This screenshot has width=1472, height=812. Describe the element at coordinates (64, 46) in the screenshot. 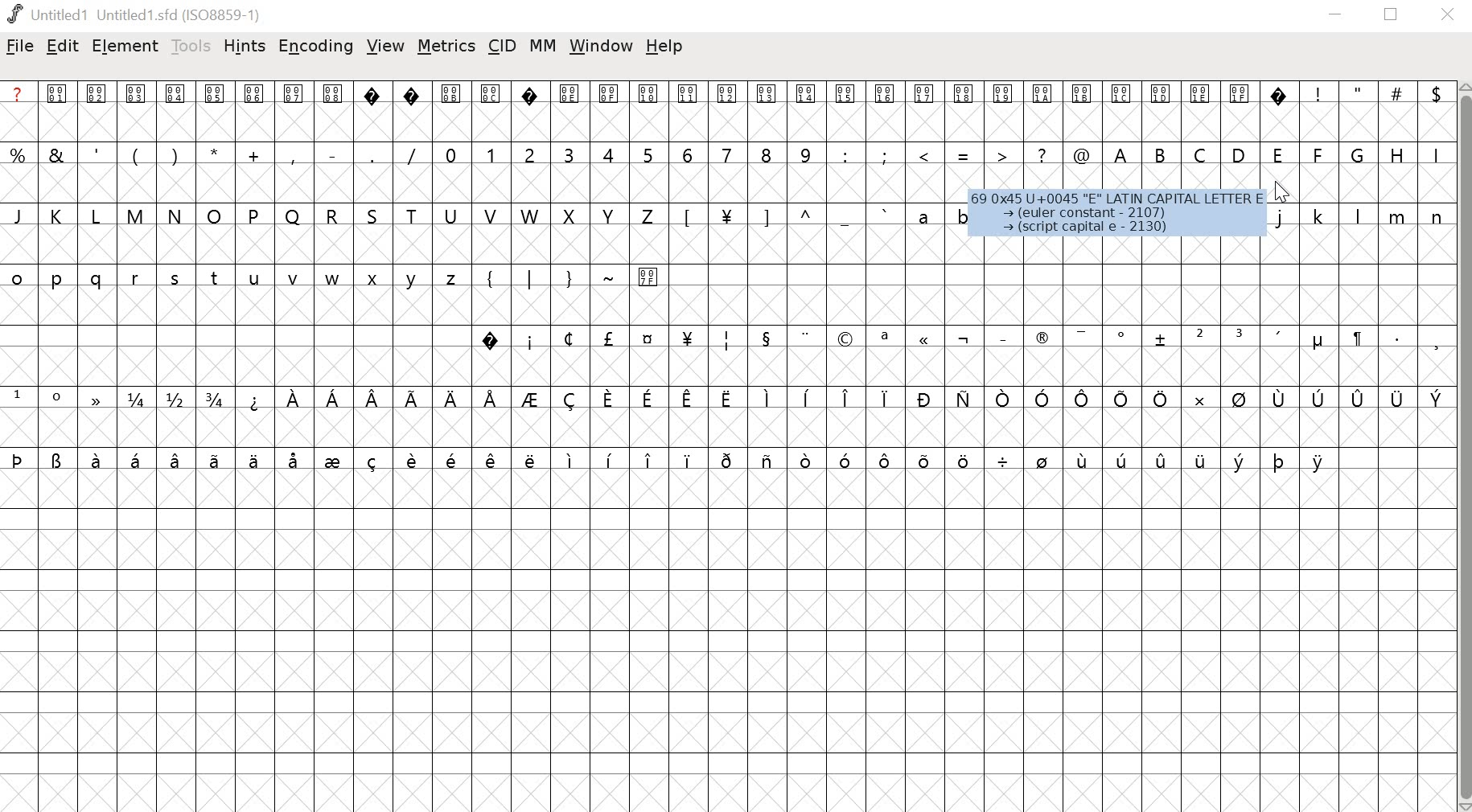

I see `edit` at that location.